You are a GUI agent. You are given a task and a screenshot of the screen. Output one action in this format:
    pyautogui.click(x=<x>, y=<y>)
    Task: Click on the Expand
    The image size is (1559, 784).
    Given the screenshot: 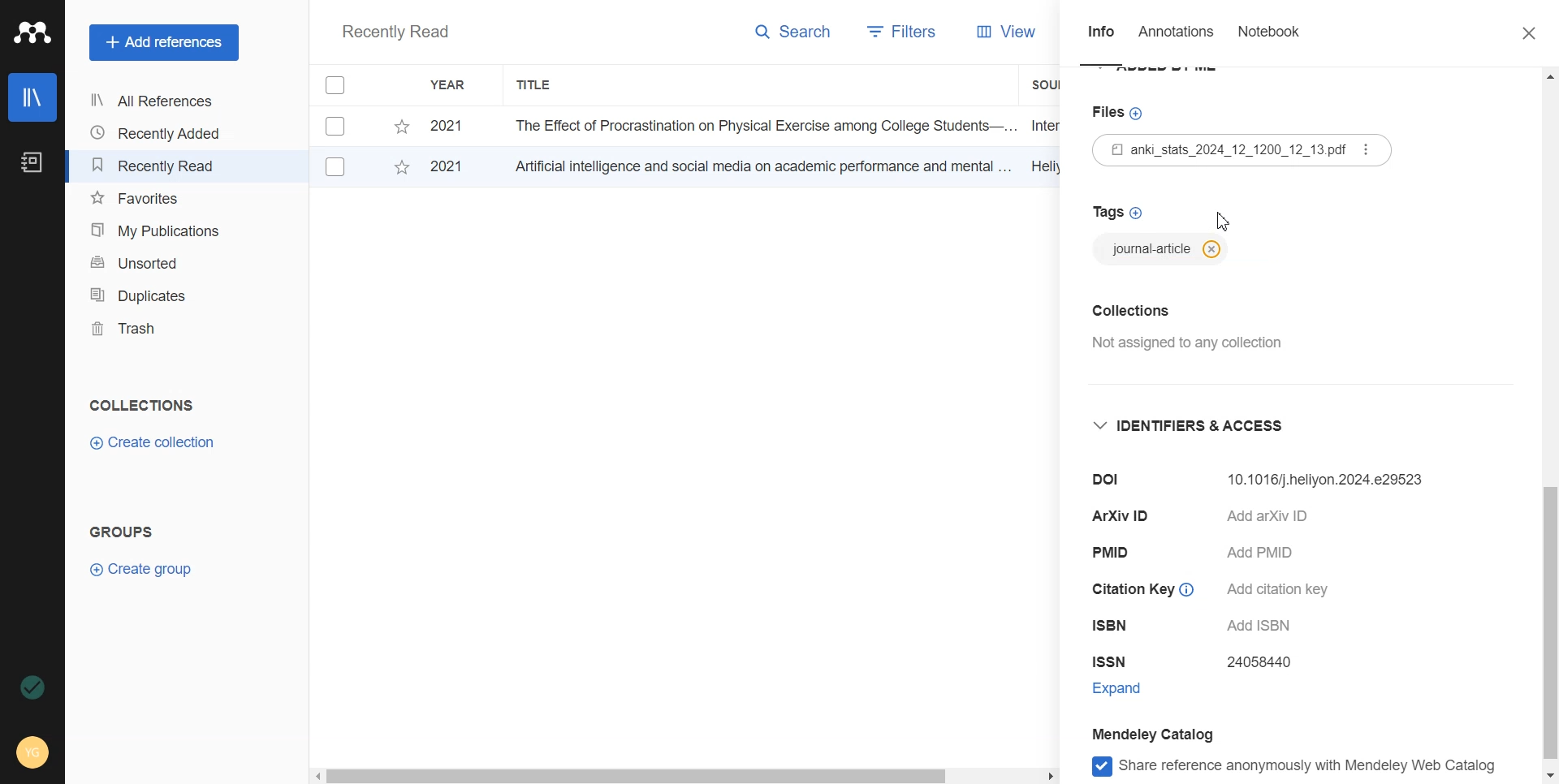 What is the action you would take?
    pyautogui.click(x=1136, y=687)
    